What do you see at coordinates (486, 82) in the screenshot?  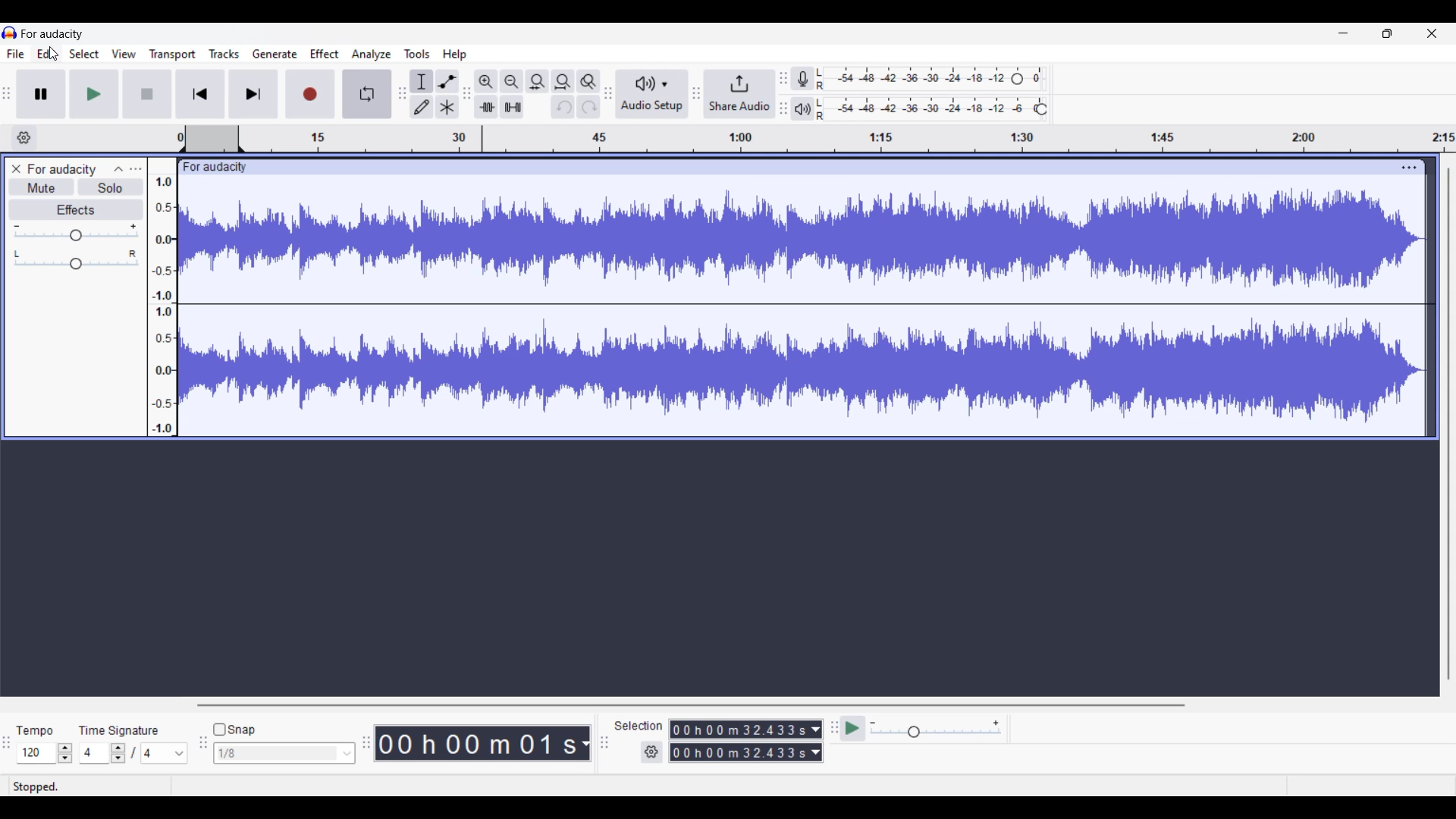 I see `Zoom in` at bounding box center [486, 82].